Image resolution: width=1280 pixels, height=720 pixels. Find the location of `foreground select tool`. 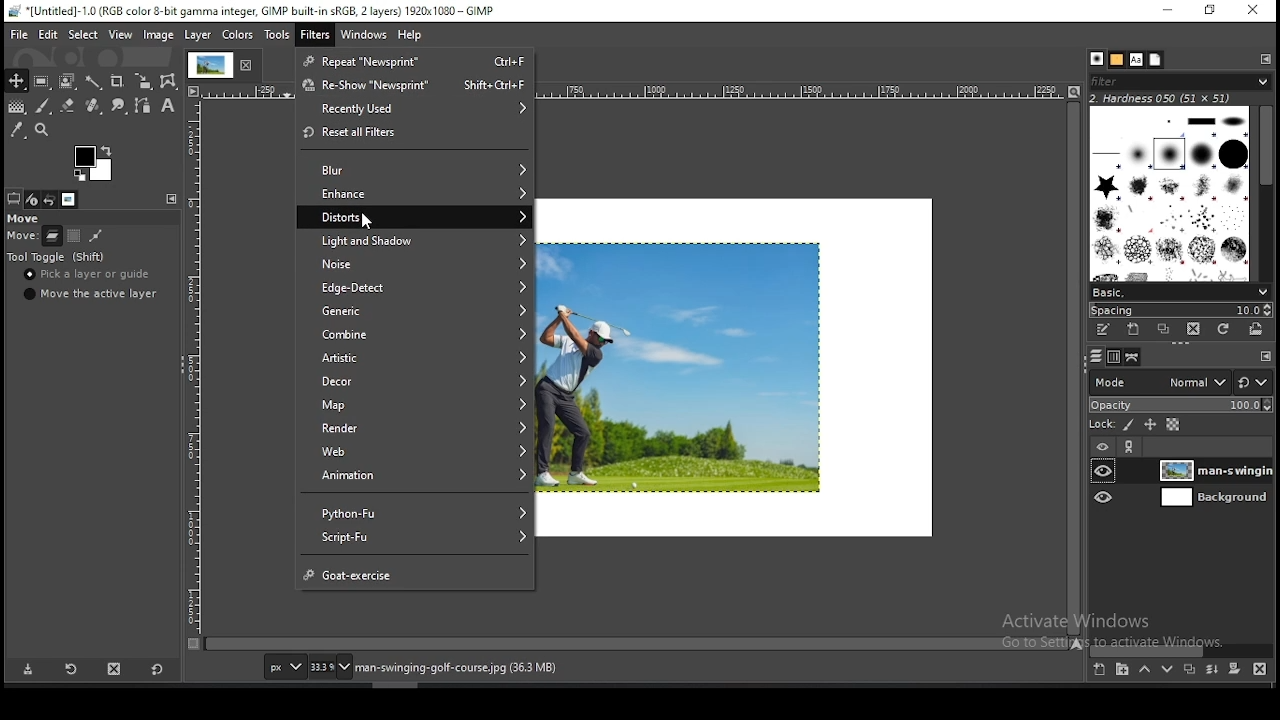

foreground select tool is located at coordinates (66, 82).